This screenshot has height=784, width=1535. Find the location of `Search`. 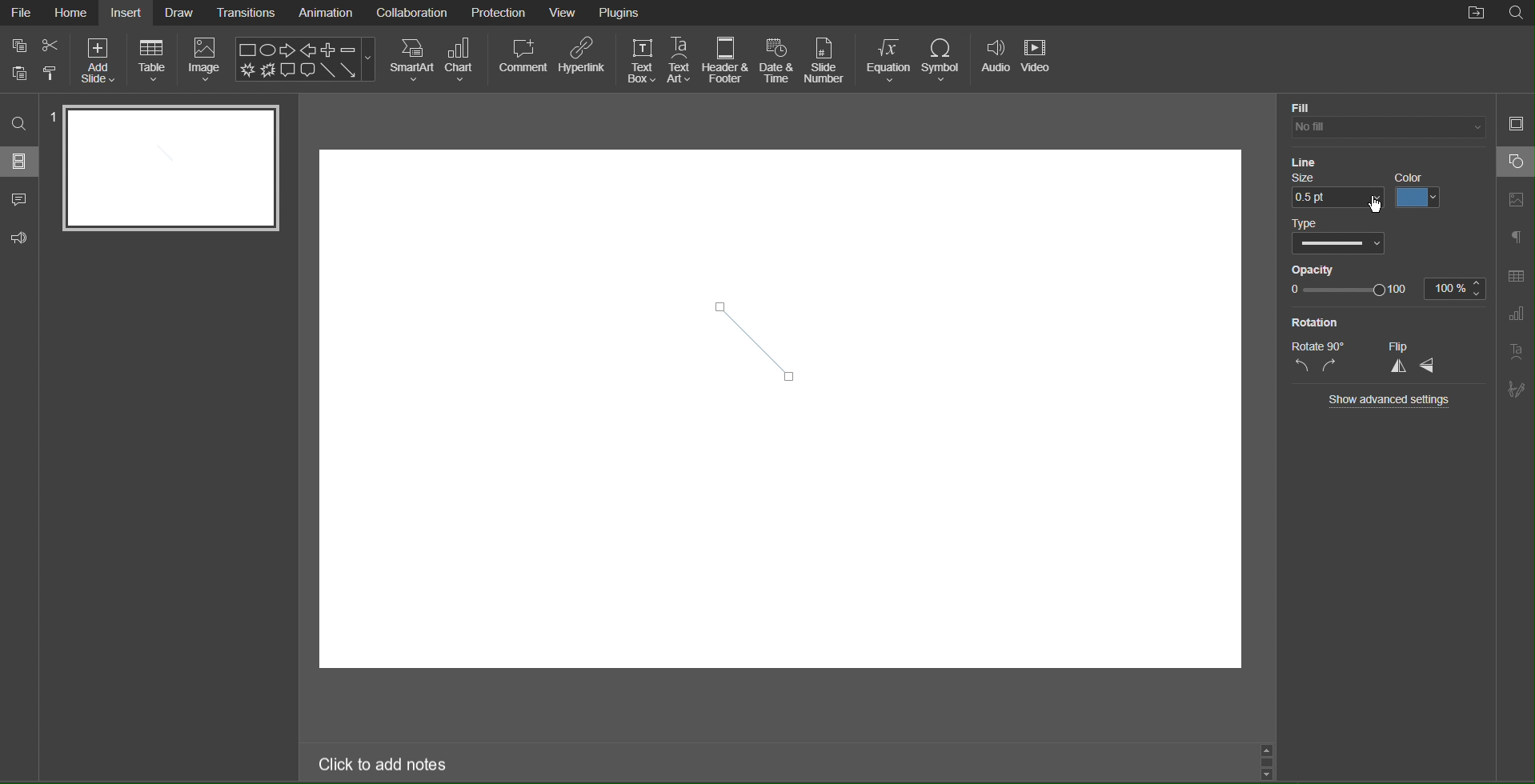

Search is located at coordinates (1516, 14).